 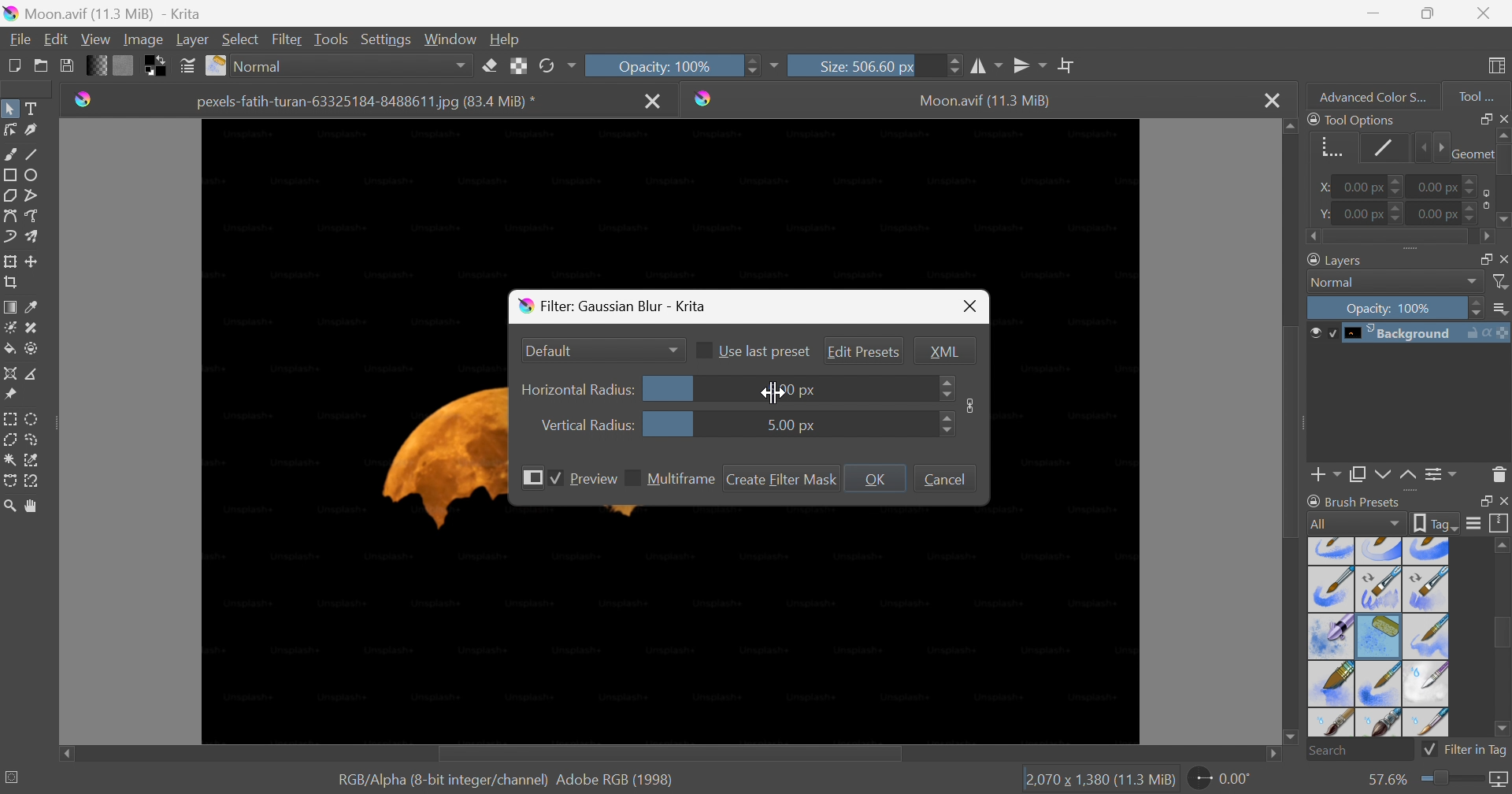 What do you see at coordinates (42, 65) in the screenshot?
I see `Open and existing document` at bounding box center [42, 65].